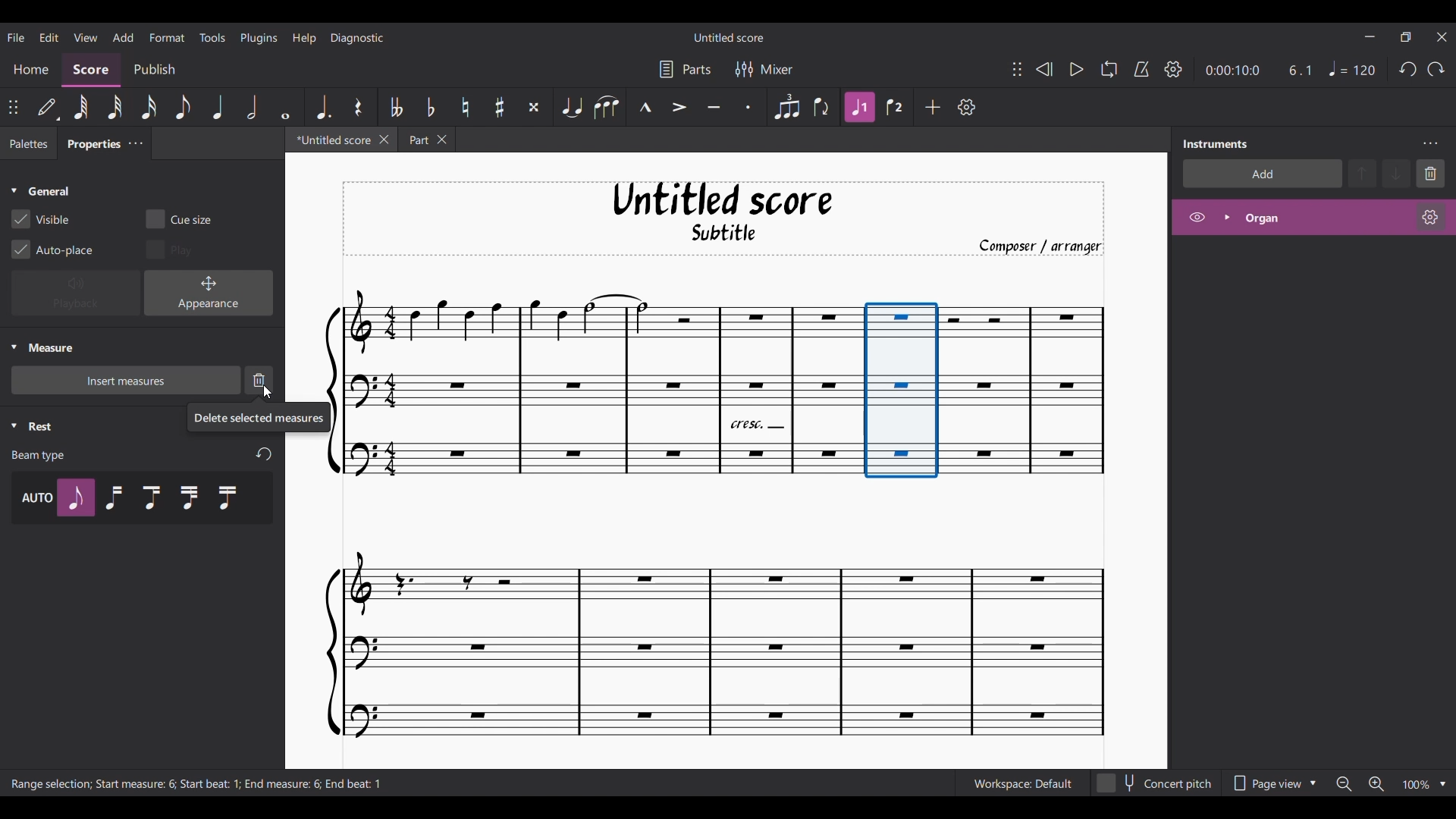  What do you see at coordinates (1344, 783) in the screenshot?
I see `Zoom out` at bounding box center [1344, 783].